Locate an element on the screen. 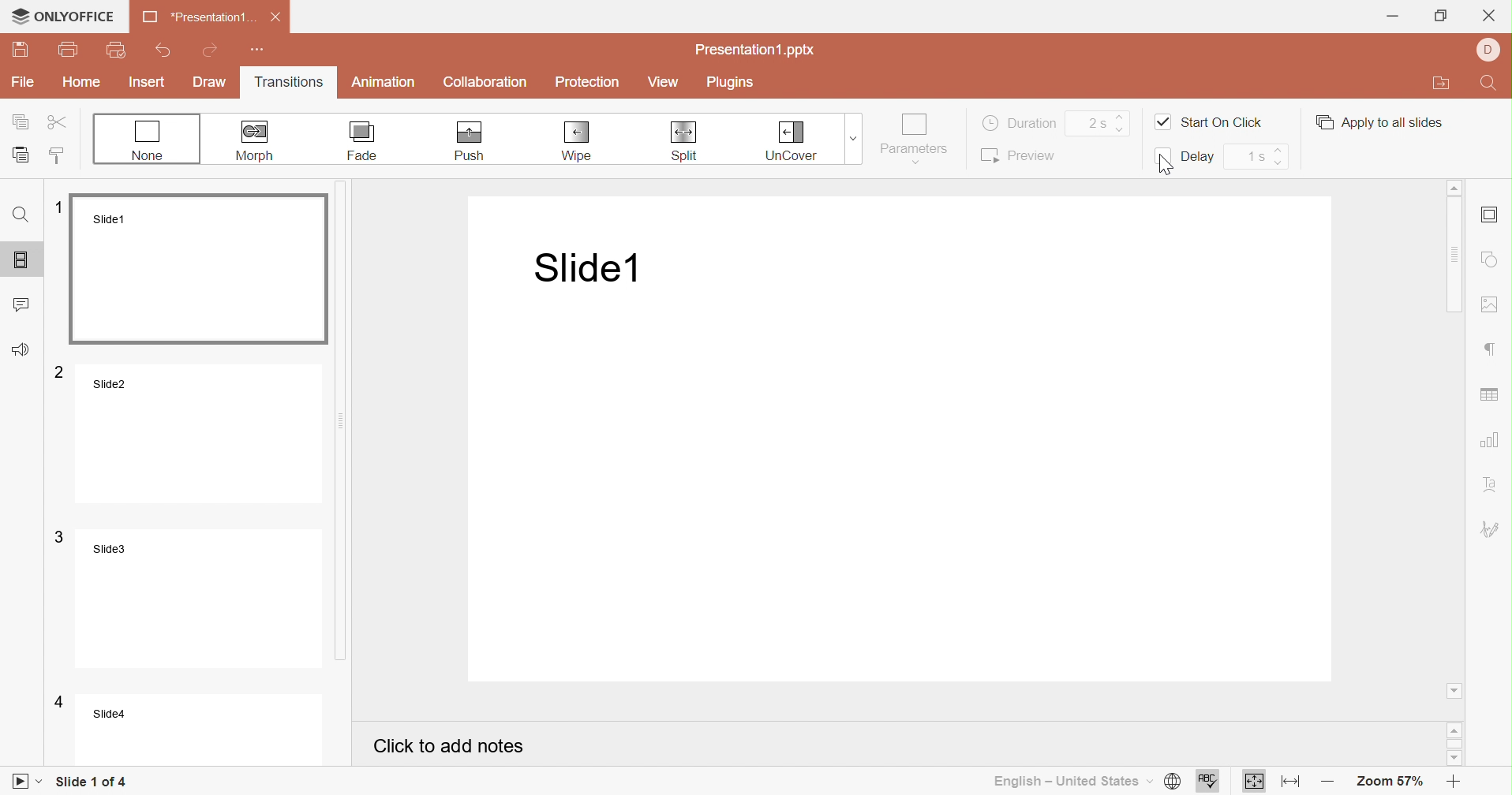  Quick print is located at coordinates (118, 51).